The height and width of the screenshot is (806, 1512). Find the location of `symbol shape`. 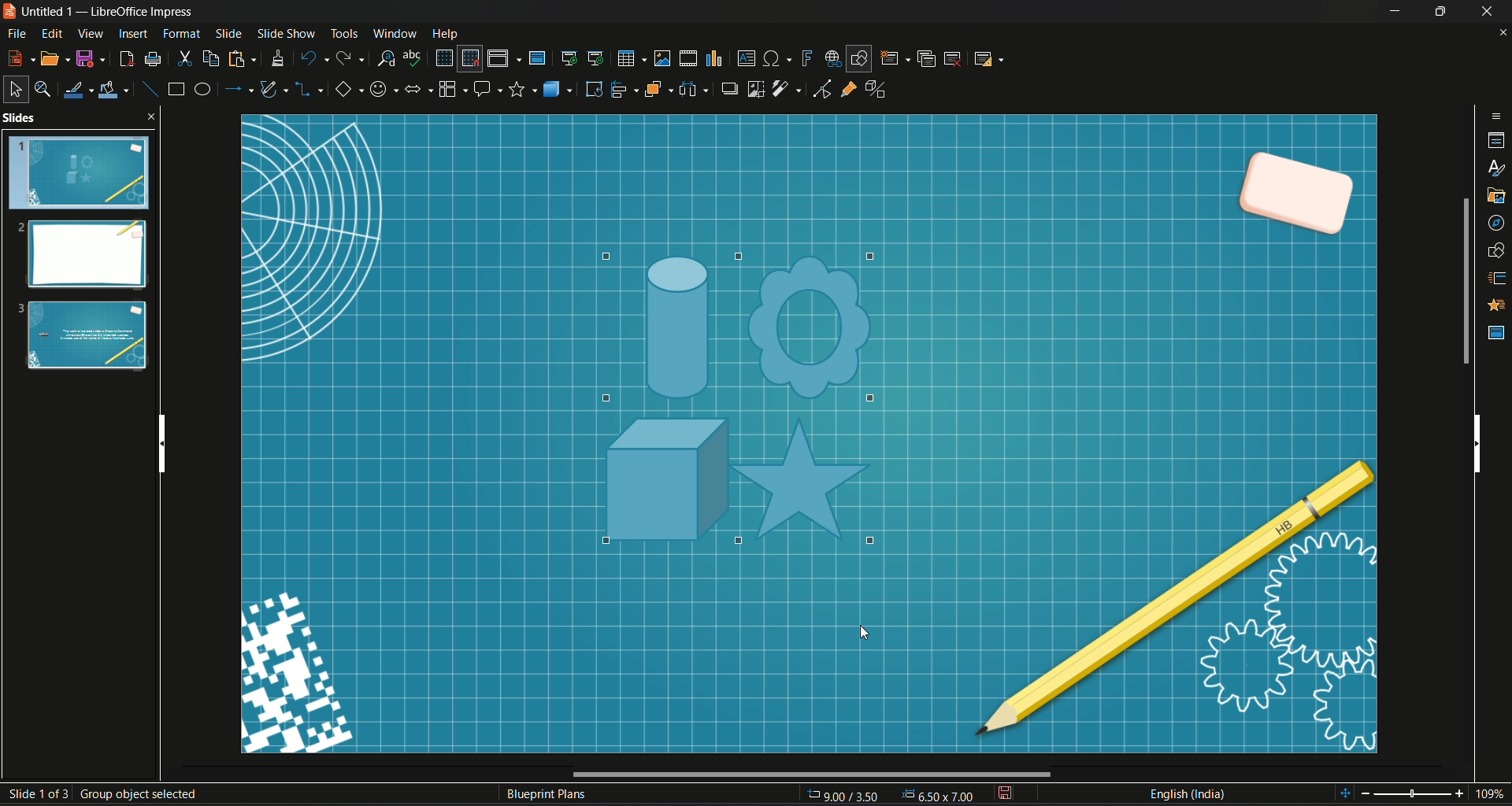

symbol shape is located at coordinates (382, 91).